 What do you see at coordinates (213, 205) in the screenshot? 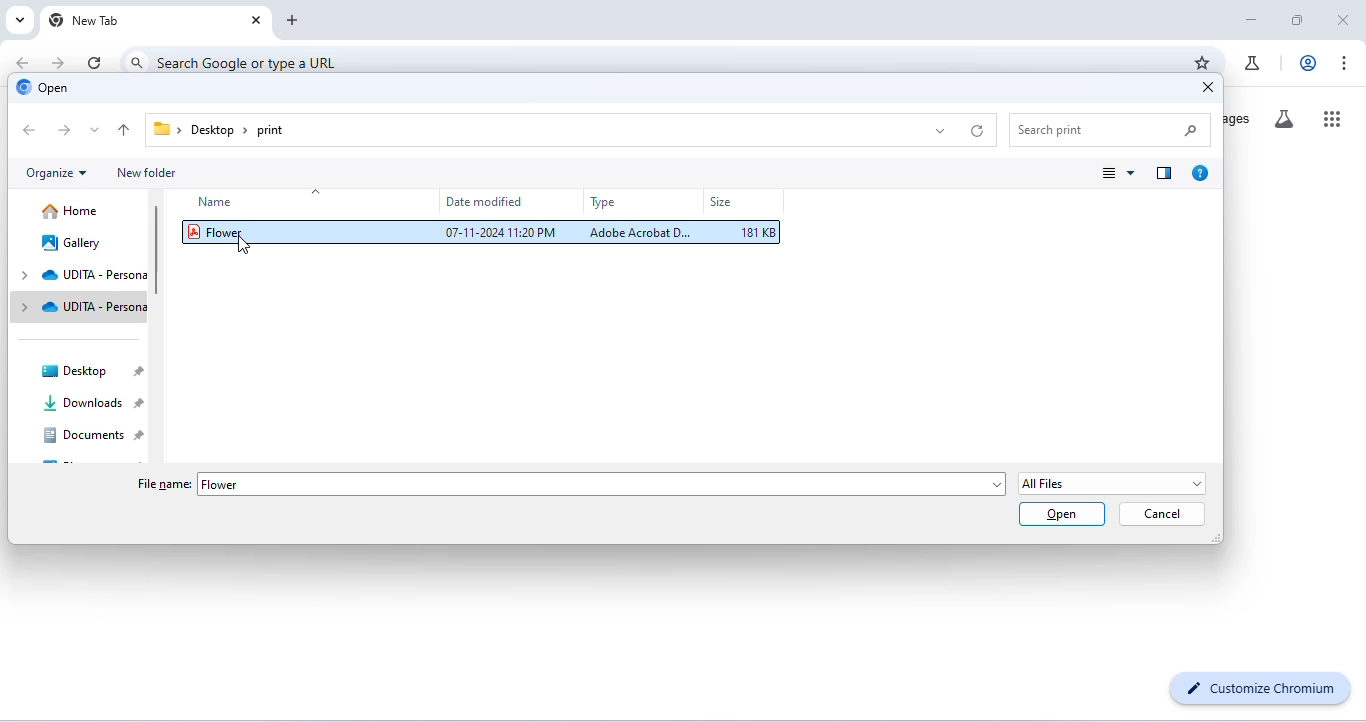
I see `name` at bounding box center [213, 205].